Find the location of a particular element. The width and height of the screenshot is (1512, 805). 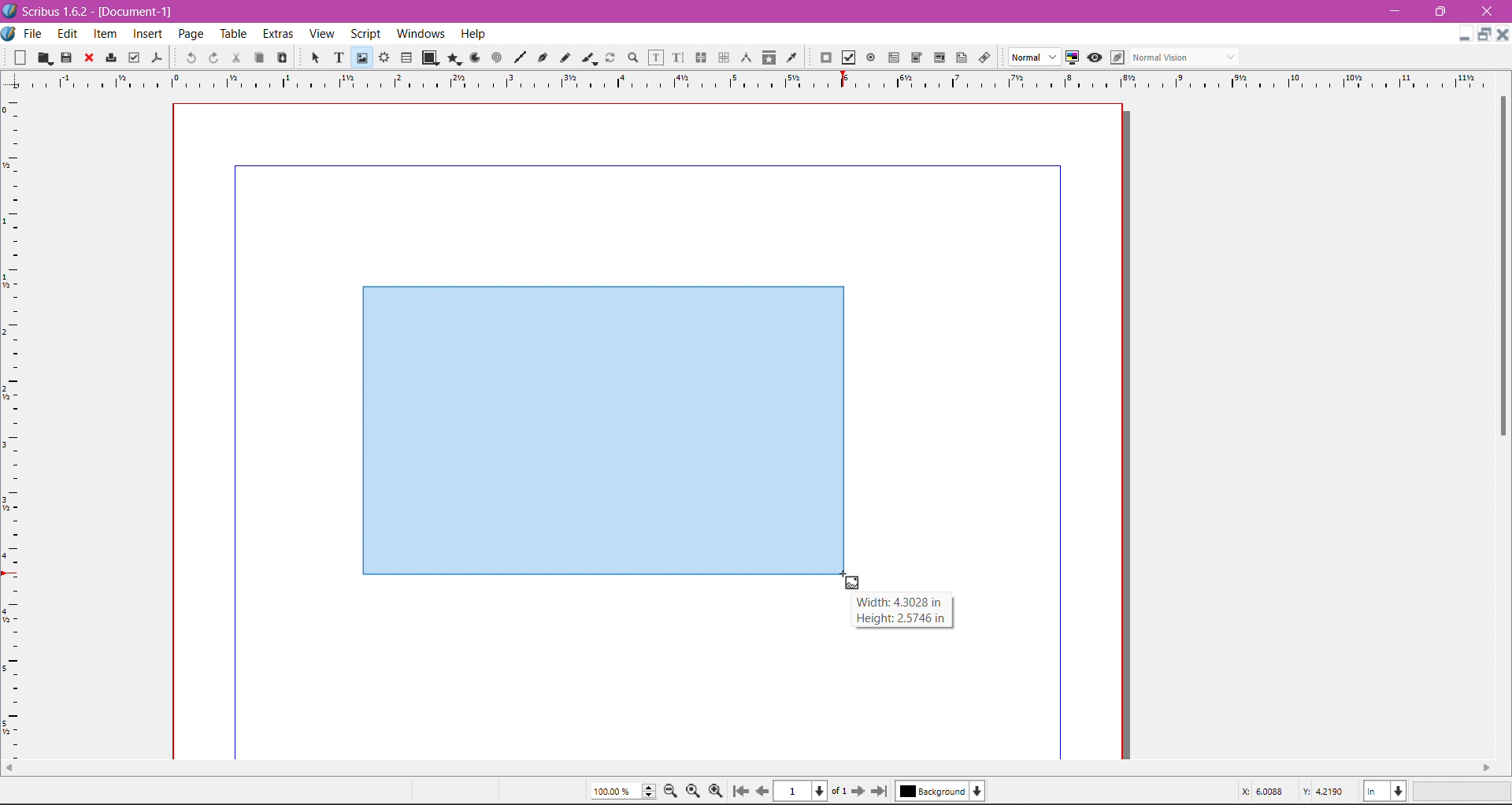

Text Frame is located at coordinates (339, 59).